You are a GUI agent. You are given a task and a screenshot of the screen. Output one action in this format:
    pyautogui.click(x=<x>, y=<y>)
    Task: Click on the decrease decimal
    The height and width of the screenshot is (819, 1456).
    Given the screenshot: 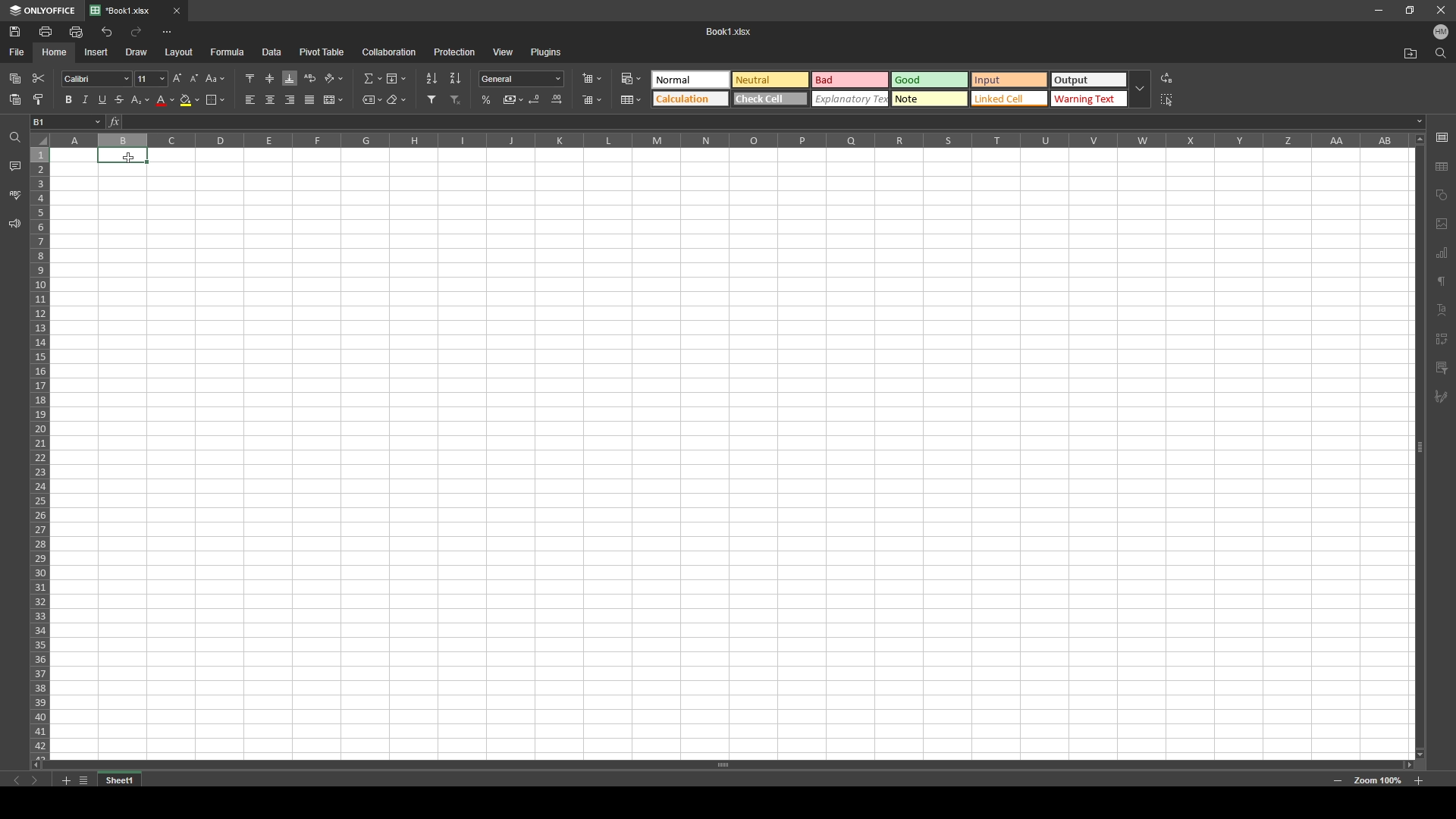 What is the action you would take?
    pyautogui.click(x=536, y=99)
    